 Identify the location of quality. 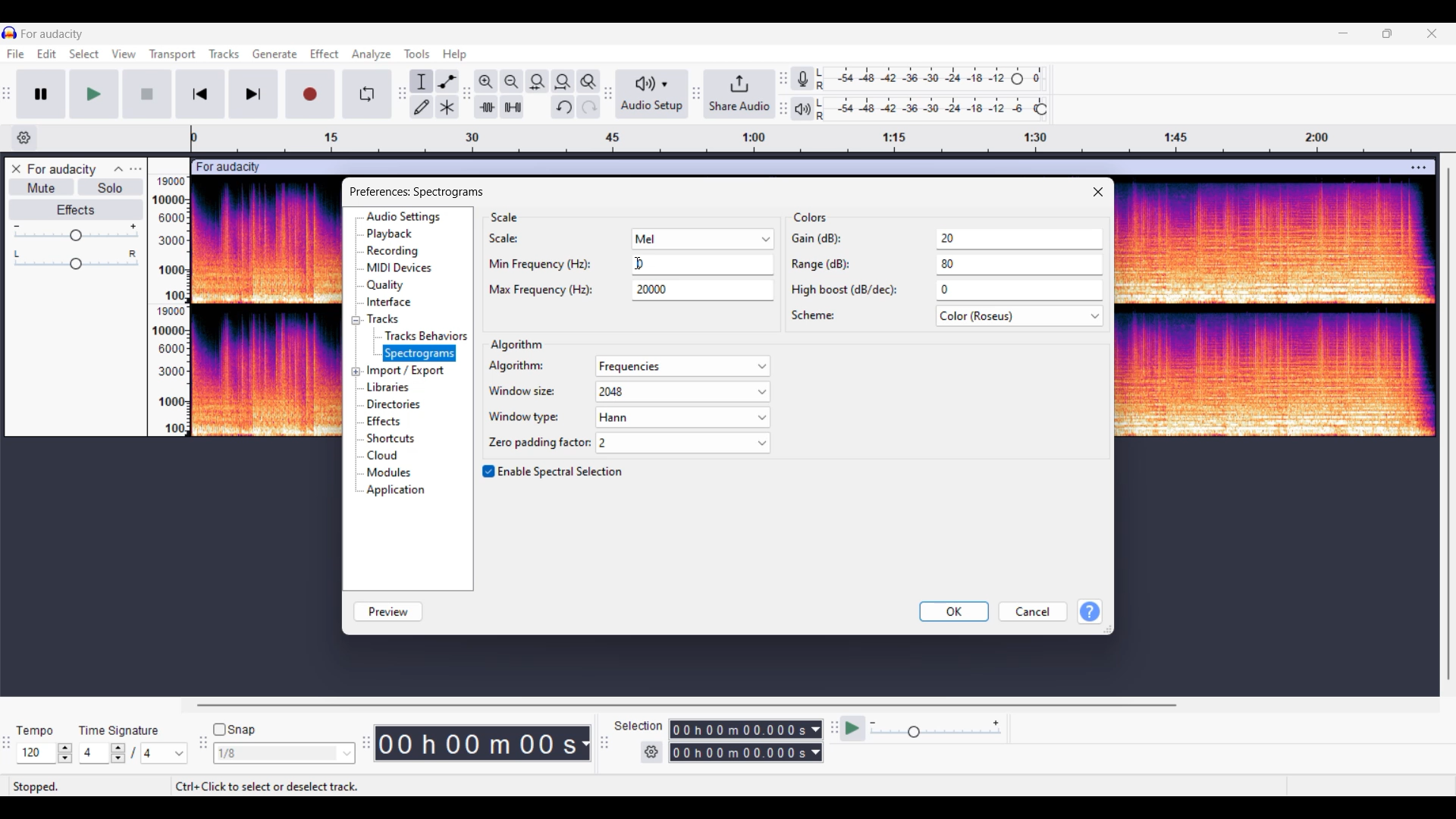
(388, 286).